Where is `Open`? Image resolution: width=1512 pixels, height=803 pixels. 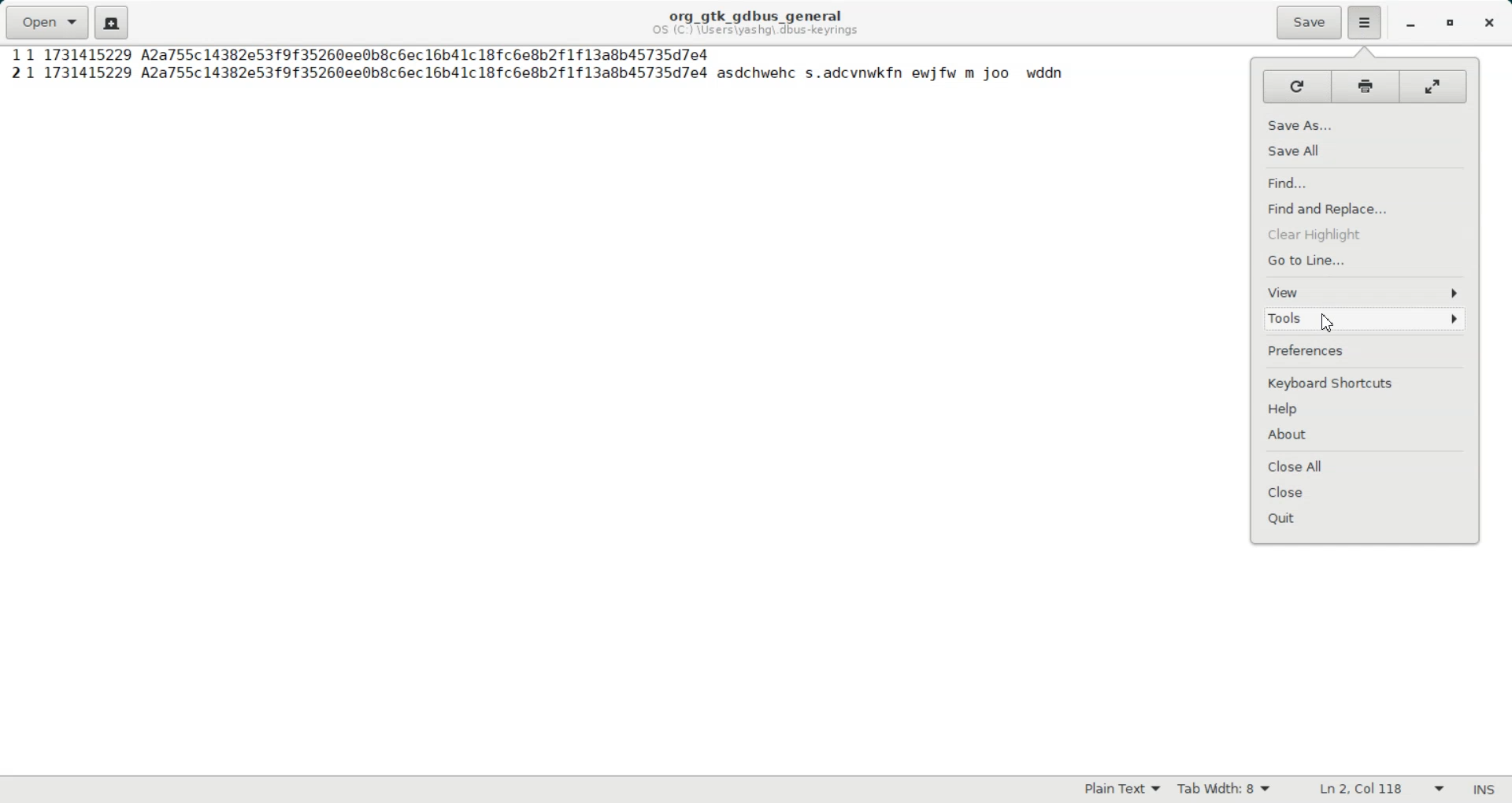 Open is located at coordinates (46, 20).